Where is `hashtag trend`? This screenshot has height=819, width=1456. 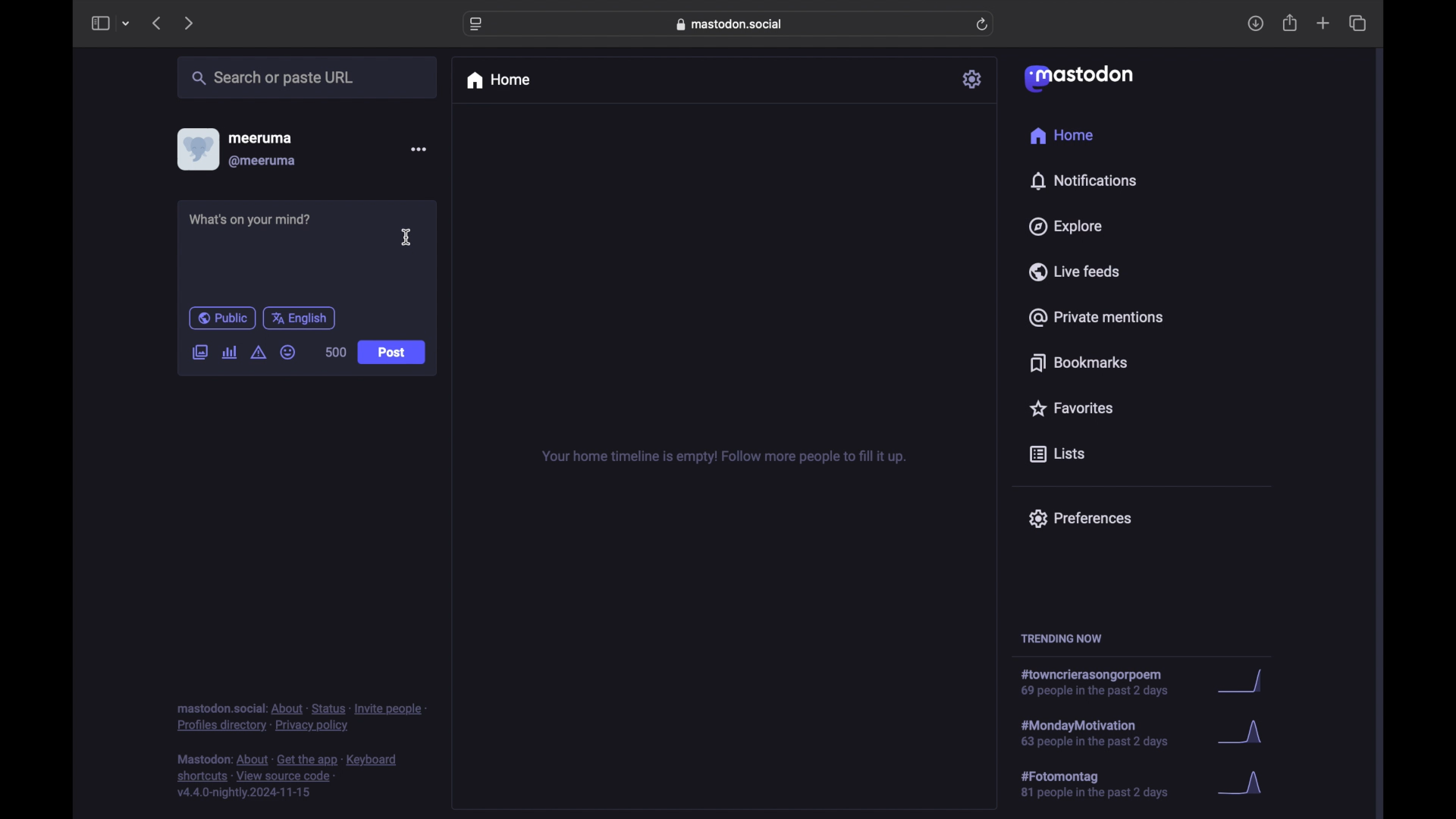 hashtag trend is located at coordinates (1105, 785).